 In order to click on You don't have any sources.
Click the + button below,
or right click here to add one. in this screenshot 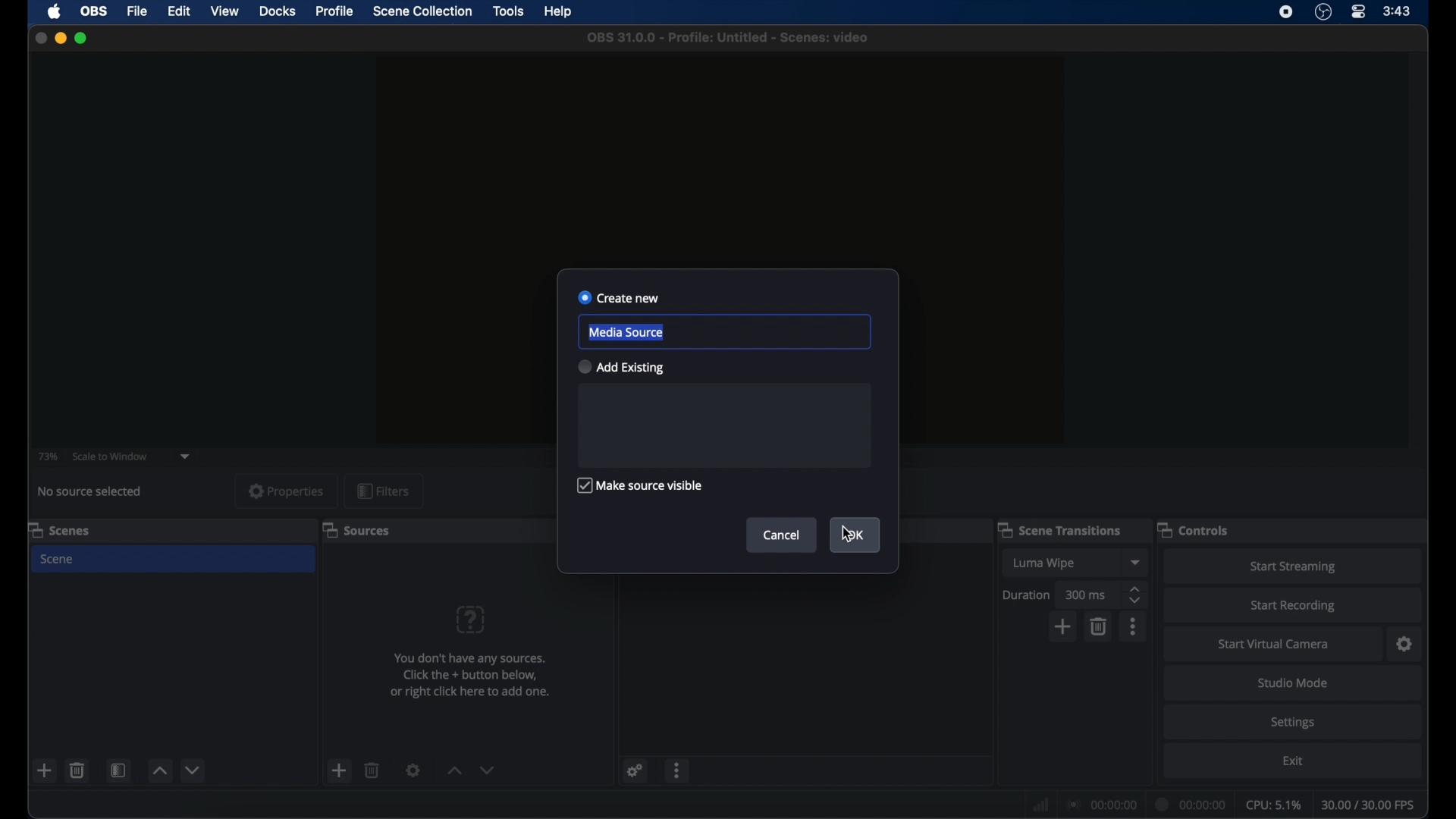, I will do `click(473, 675)`.